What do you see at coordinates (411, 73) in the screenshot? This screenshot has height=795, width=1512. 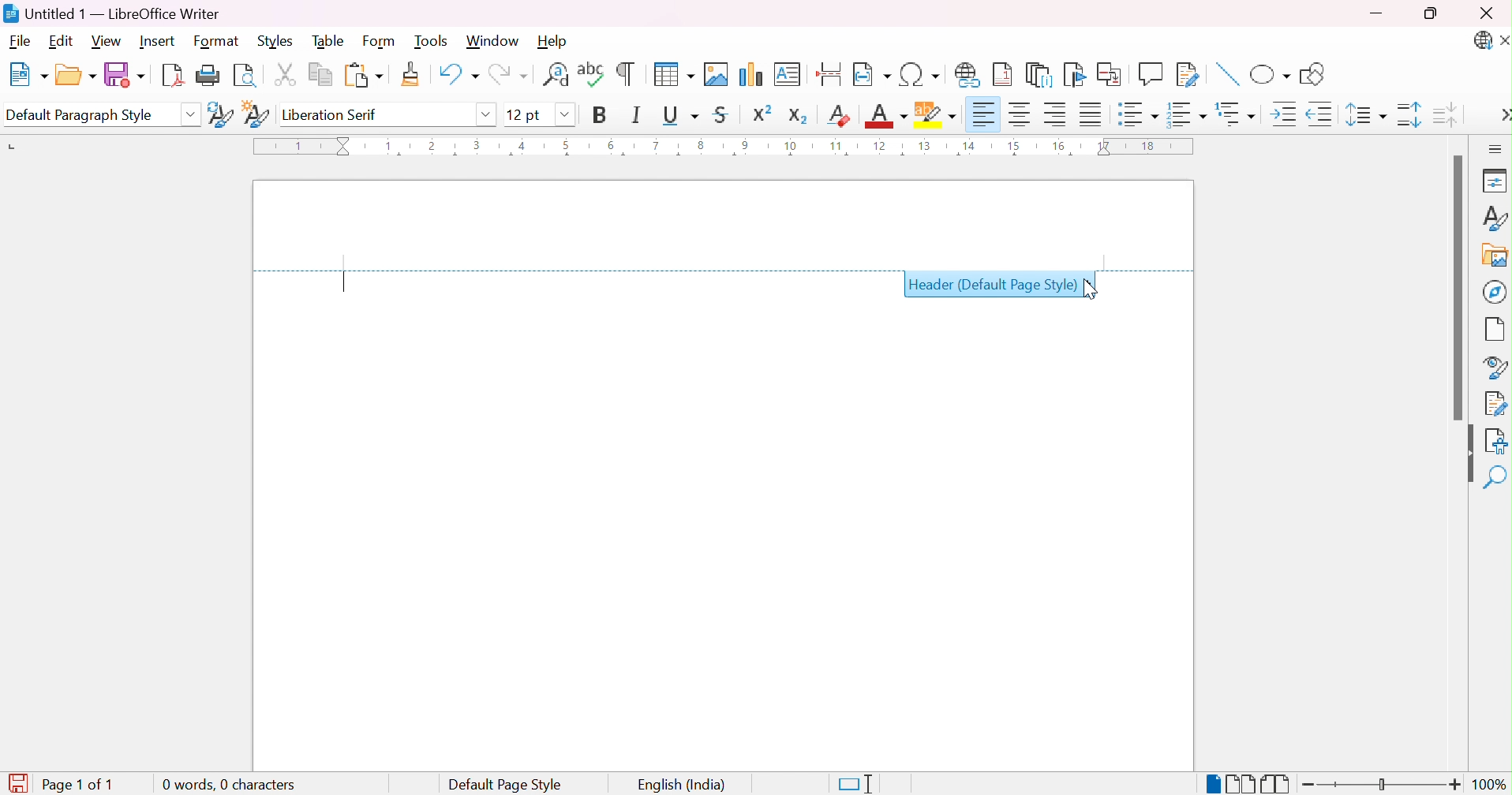 I see `Clone formatting` at bounding box center [411, 73].